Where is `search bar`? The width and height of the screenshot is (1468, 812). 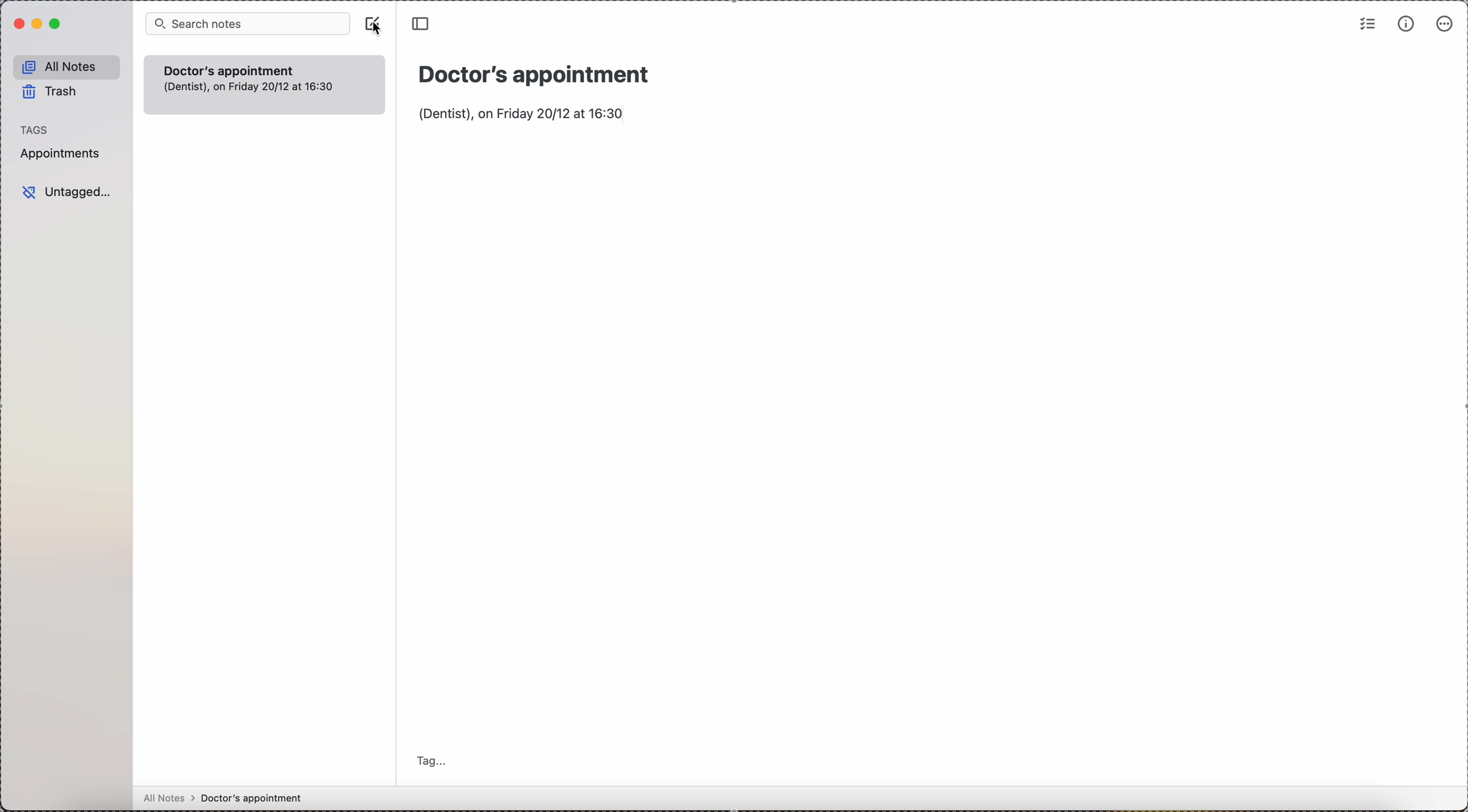 search bar is located at coordinates (247, 24).